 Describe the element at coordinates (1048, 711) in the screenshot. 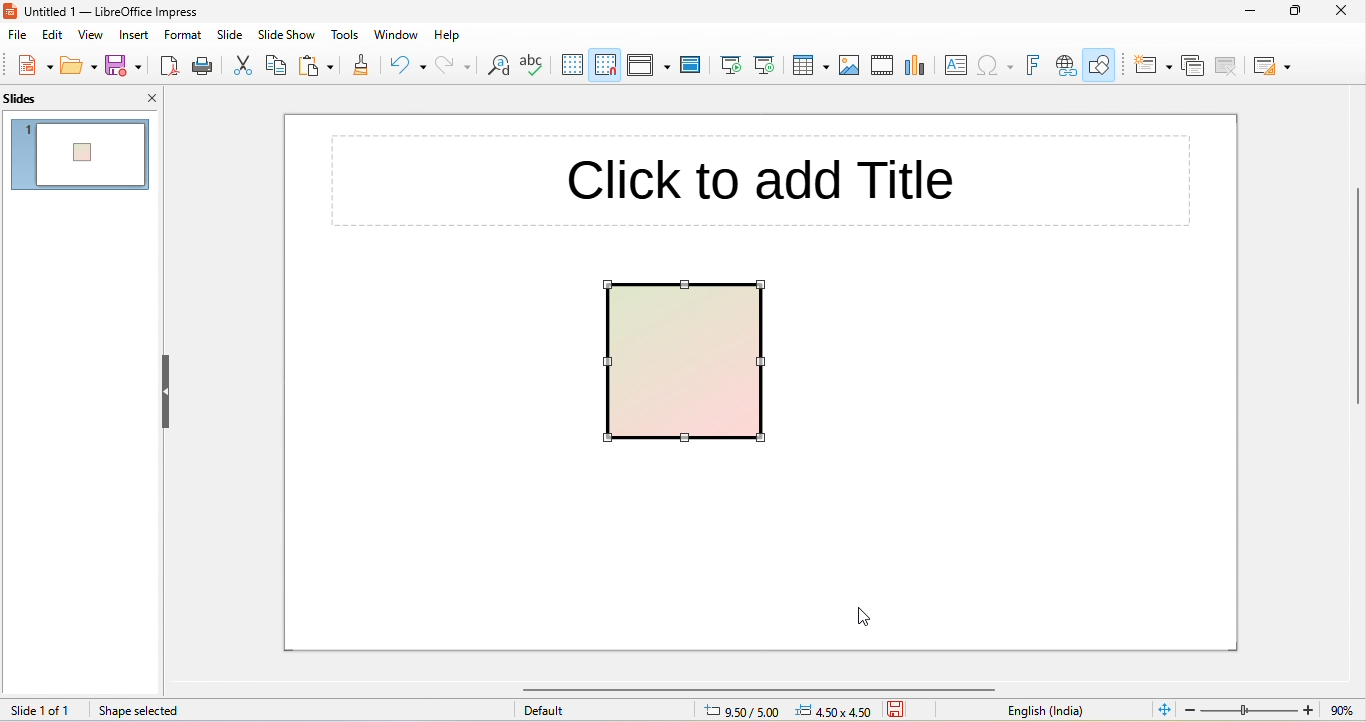

I see `english` at that location.